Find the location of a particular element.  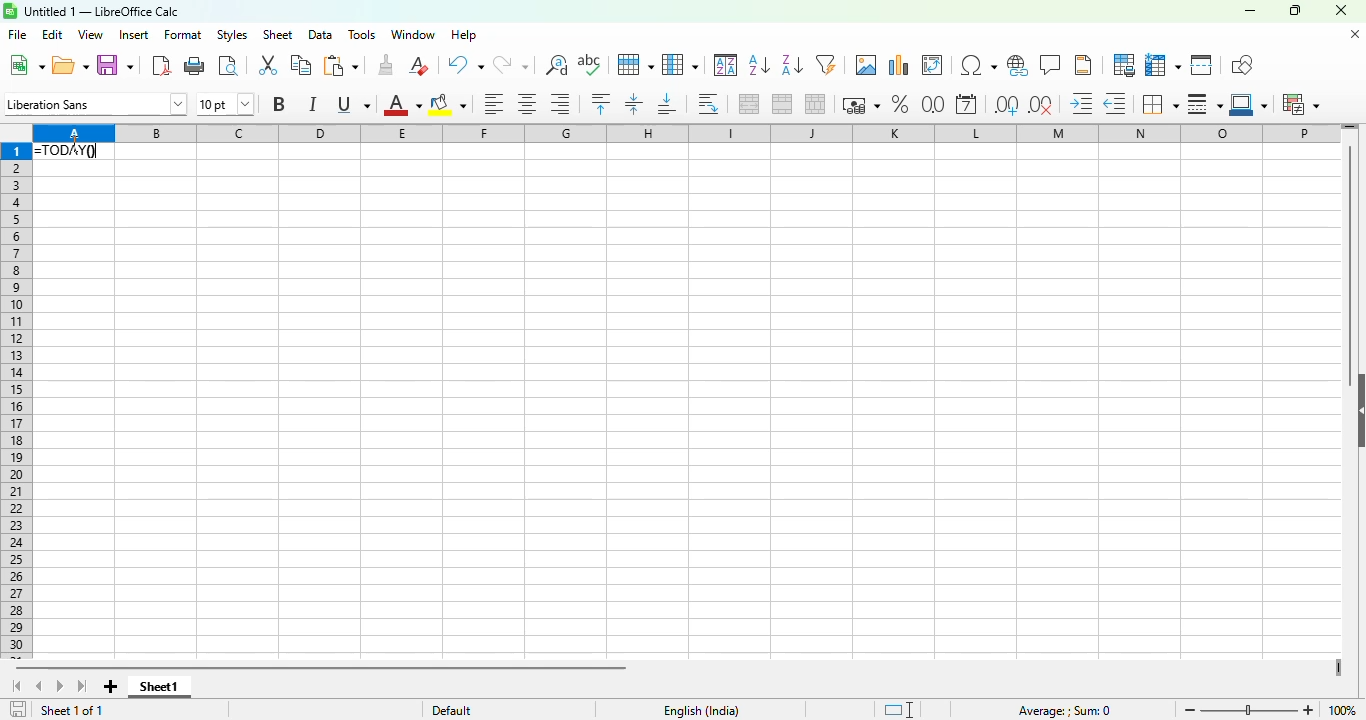

insert special characters is located at coordinates (978, 65).